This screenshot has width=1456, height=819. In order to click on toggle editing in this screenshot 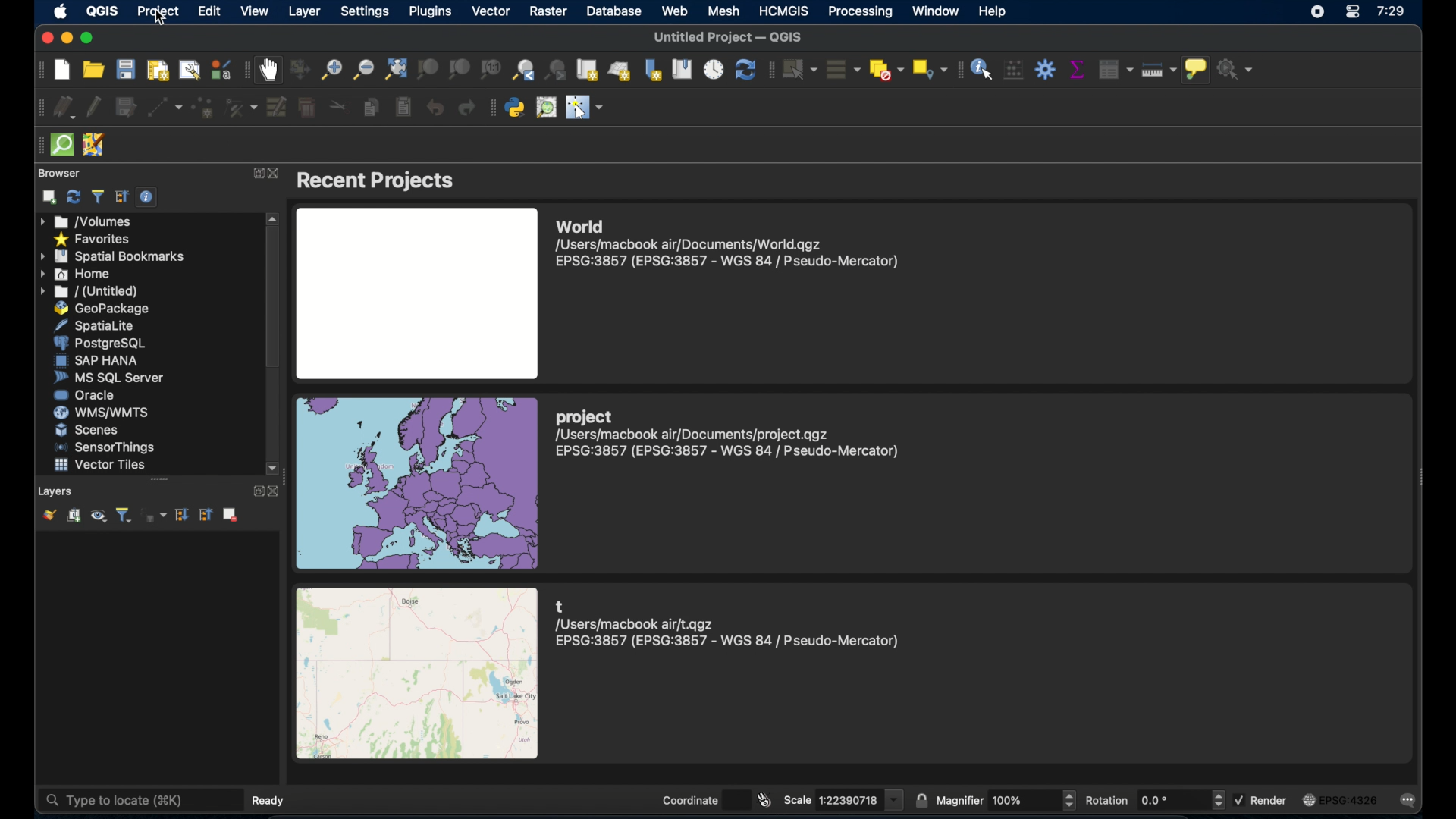, I will do `click(95, 105)`.